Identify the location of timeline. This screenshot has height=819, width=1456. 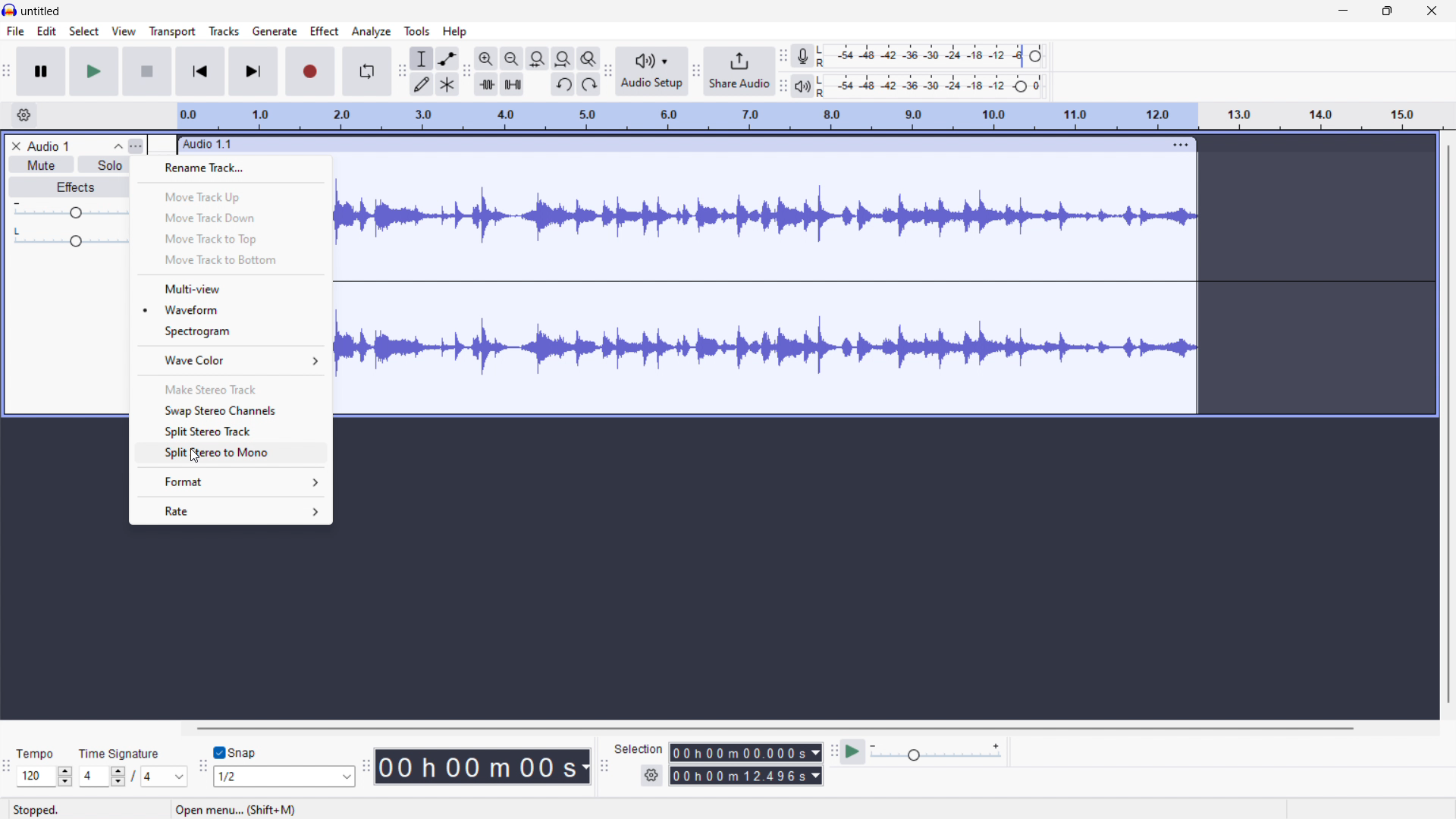
(810, 117).